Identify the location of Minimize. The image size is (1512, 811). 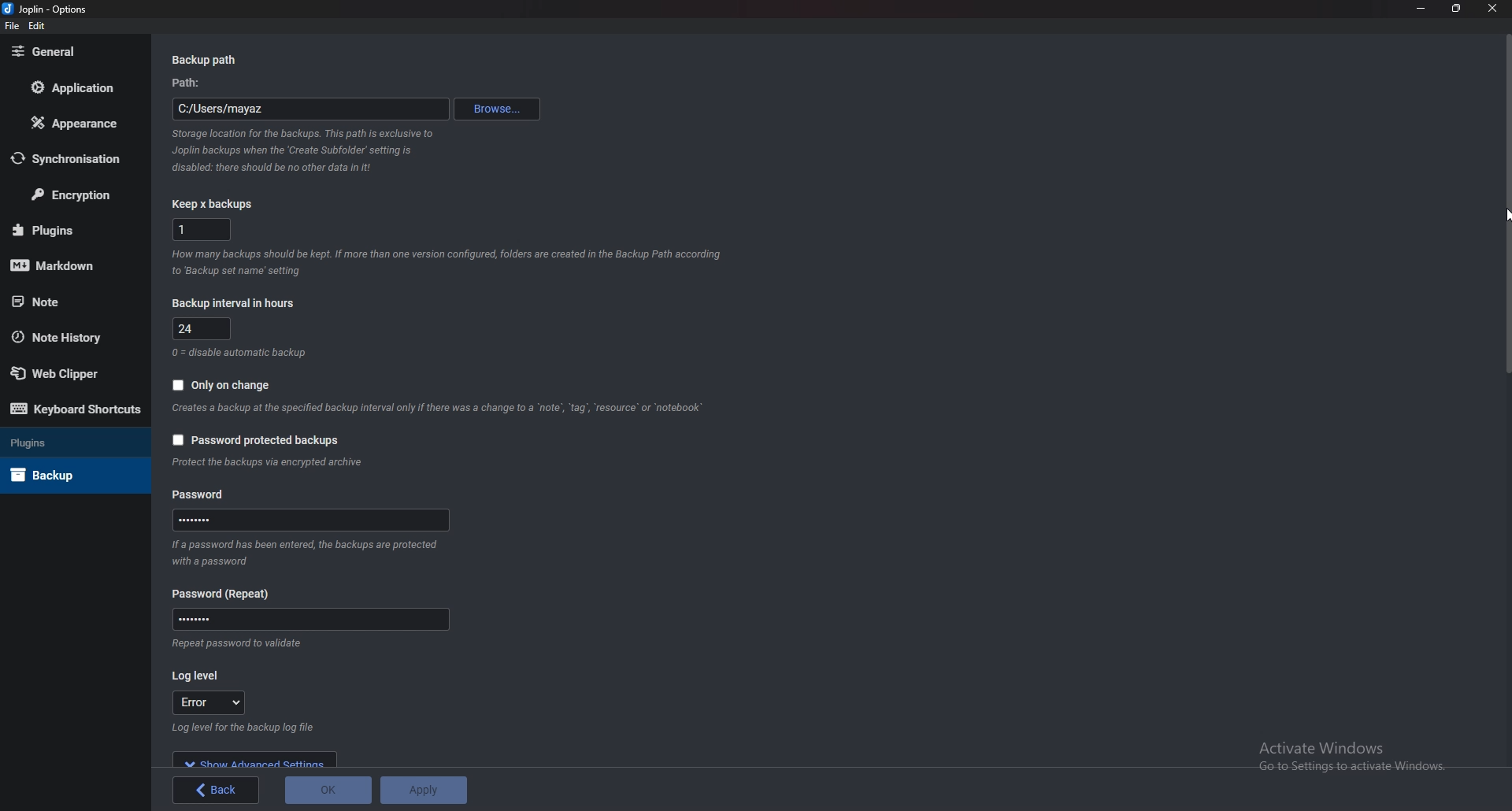
(1423, 8).